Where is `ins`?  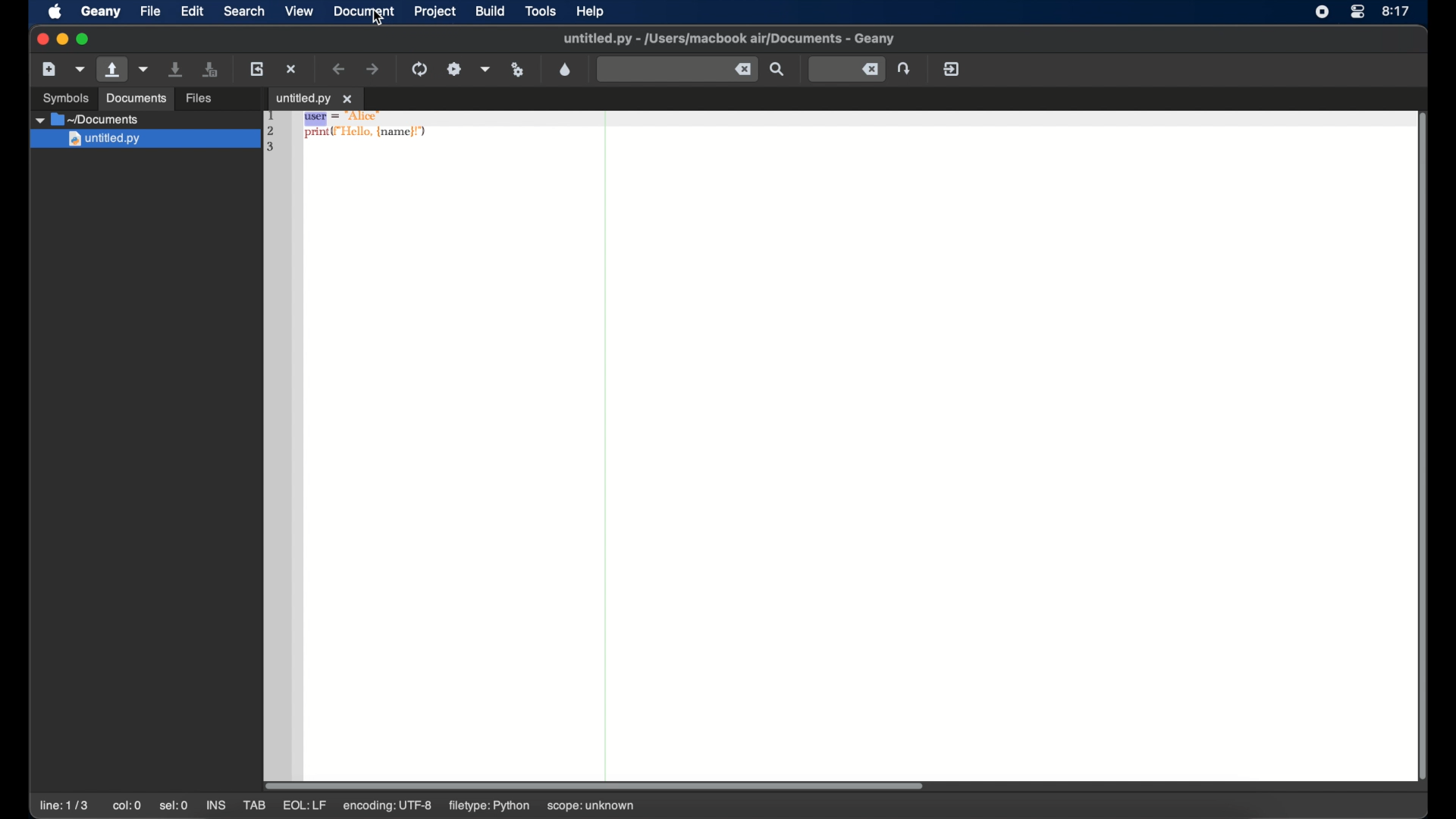
ins is located at coordinates (215, 805).